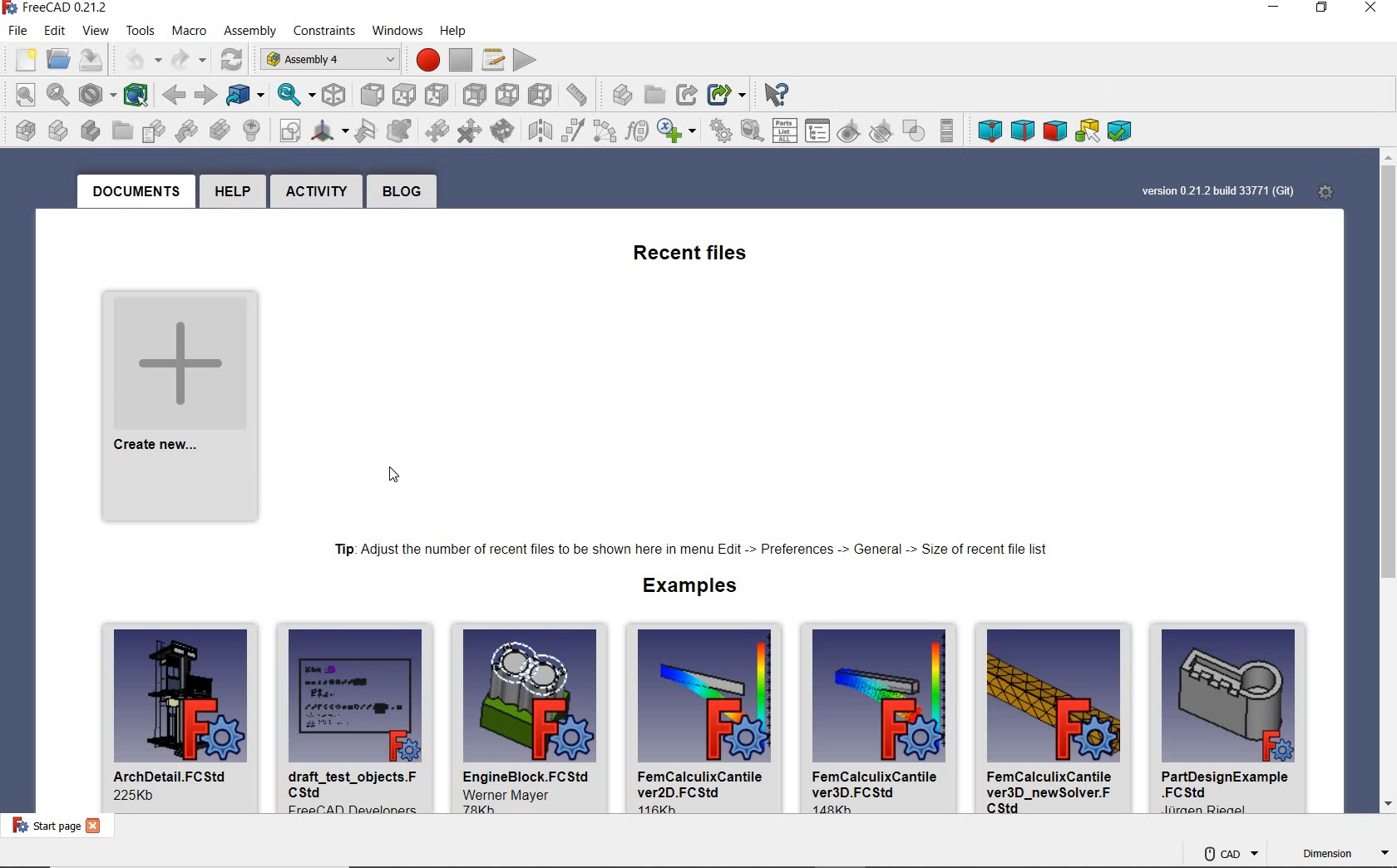 Image resolution: width=1397 pixels, height=868 pixels. I want to click on sync view, so click(294, 97).